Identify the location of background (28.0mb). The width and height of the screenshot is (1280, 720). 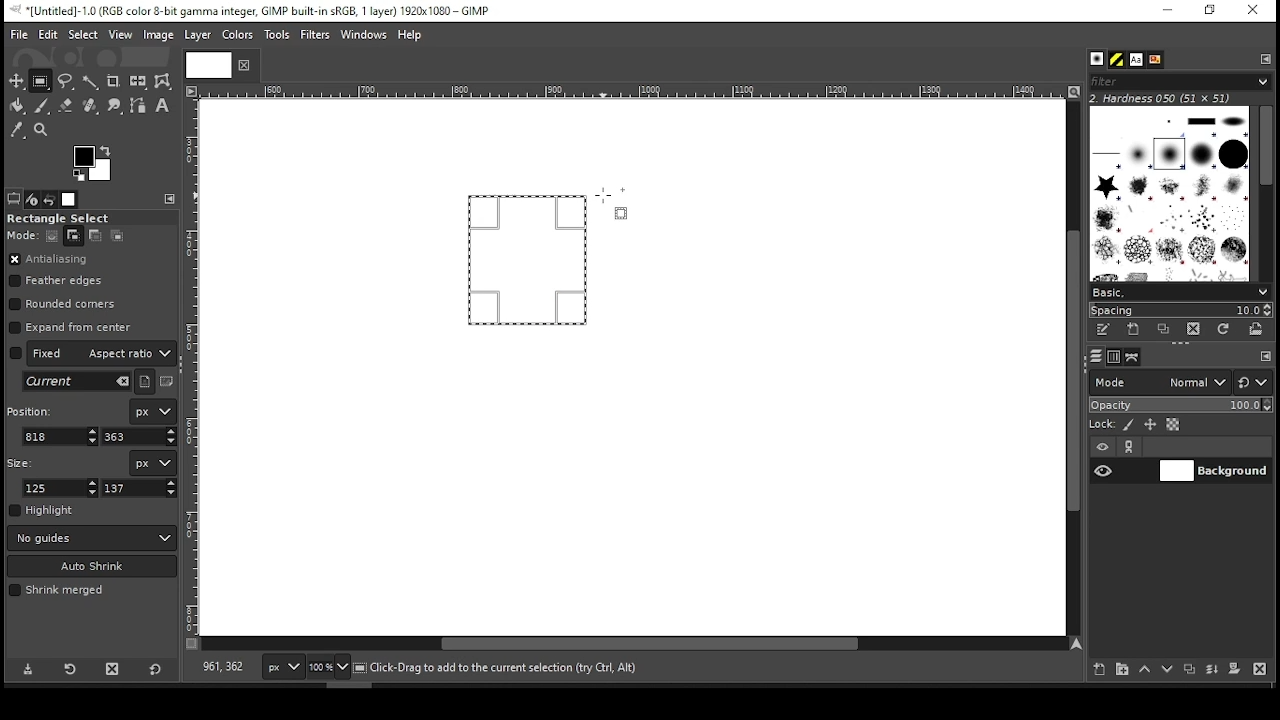
(490, 668).